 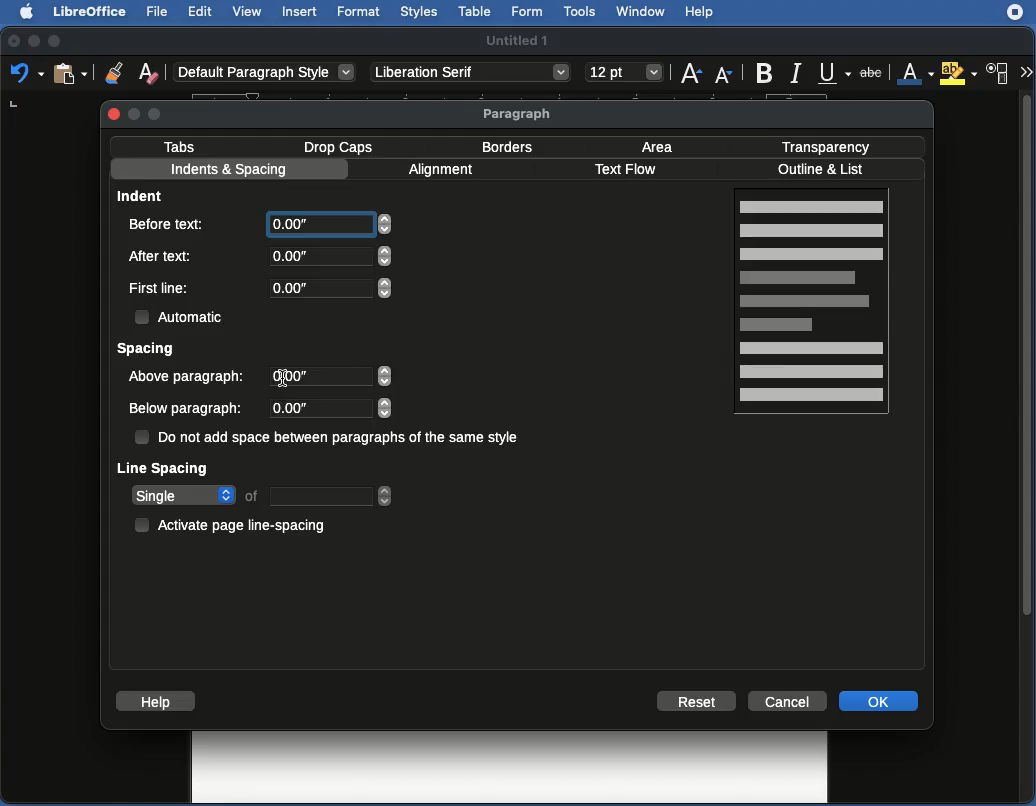 What do you see at coordinates (621, 72) in the screenshot?
I see `font size` at bounding box center [621, 72].